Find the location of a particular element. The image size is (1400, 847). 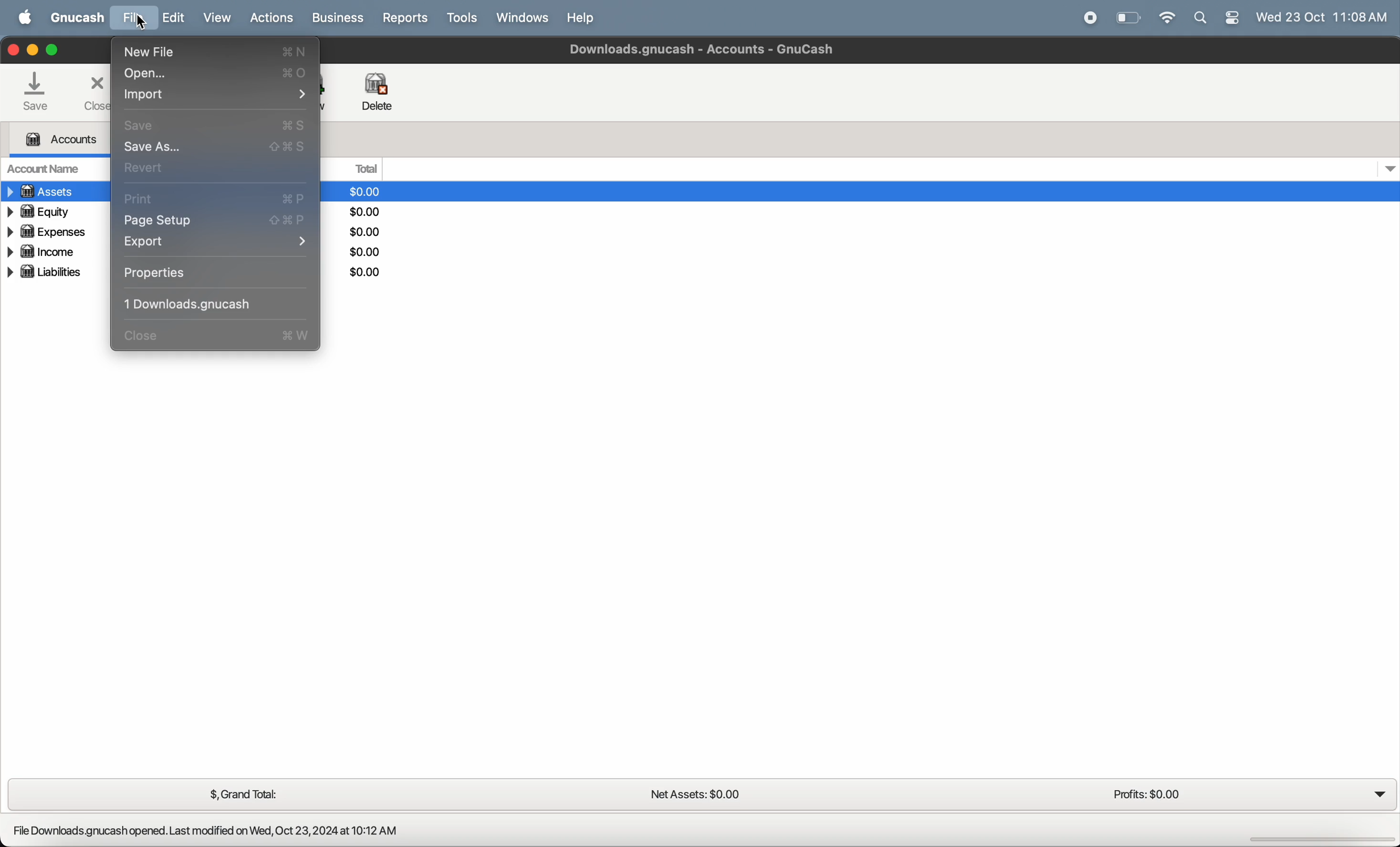

record is located at coordinates (1087, 19).